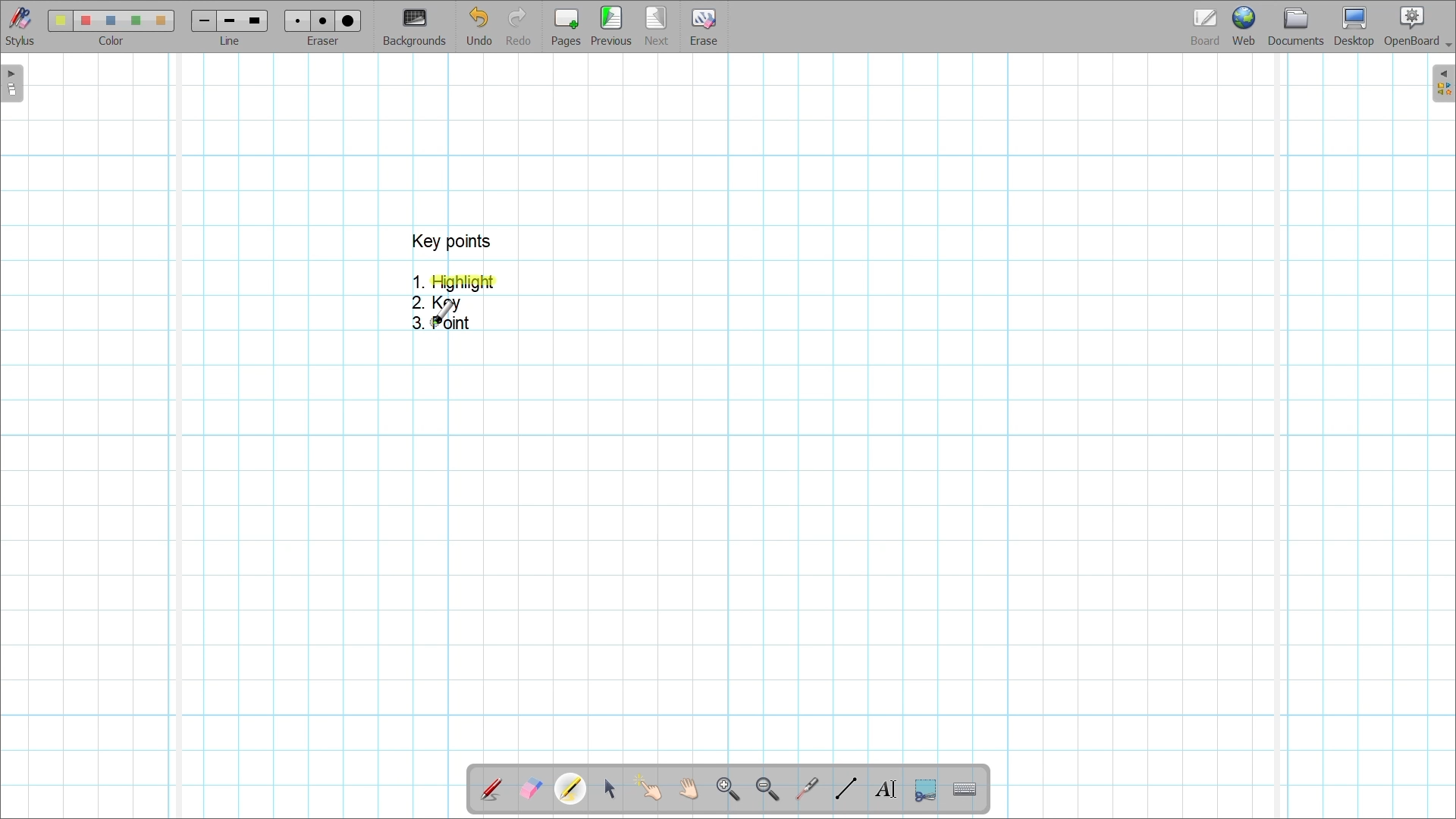 This screenshot has height=819, width=1456. Describe the element at coordinates (108, 41) in the screenshot. I see `color` at that location.